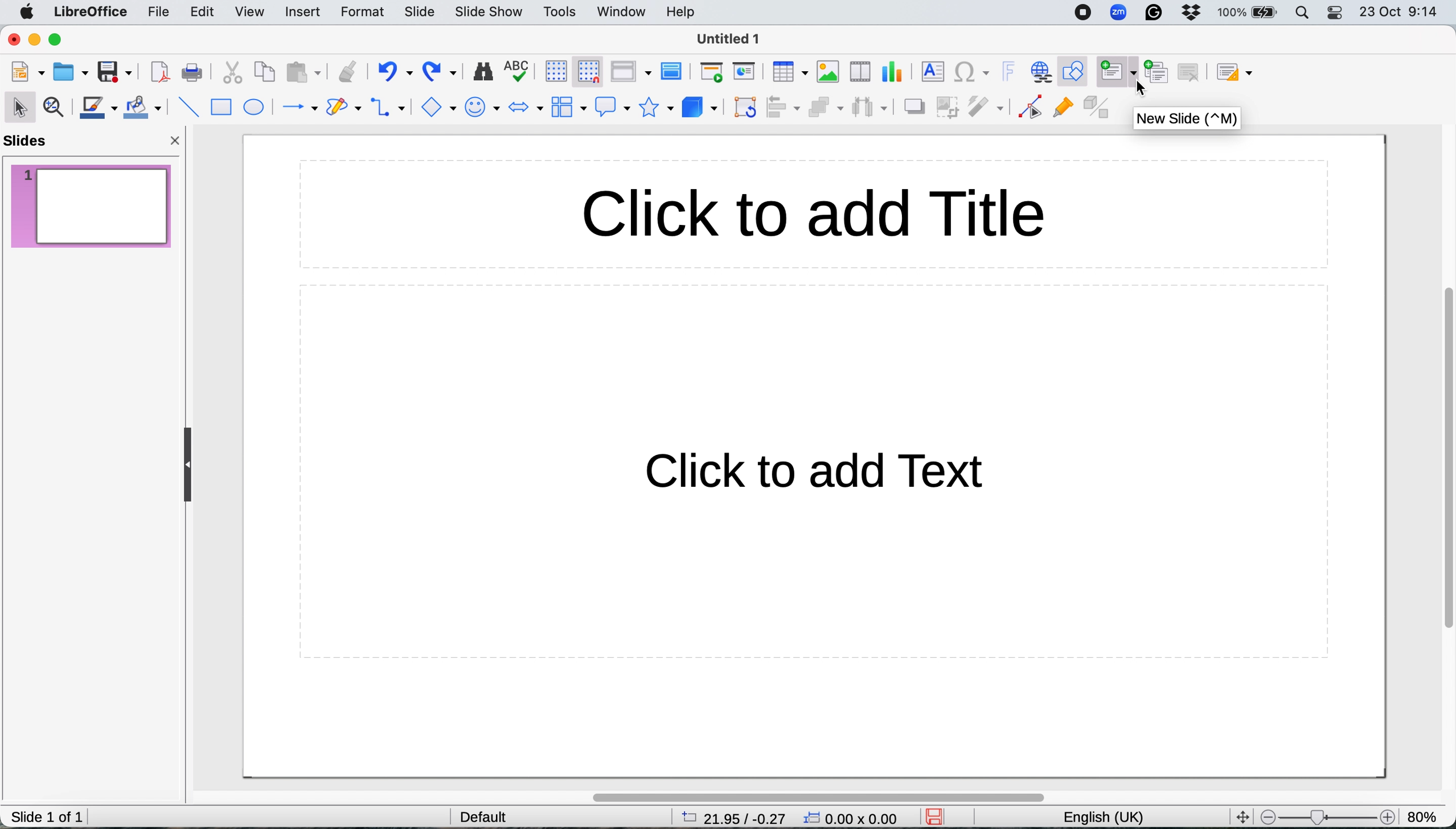 The image size is (1456, 829). Describe the element at coordinates (838, 473) in the screenshot. I see `text` at that location.